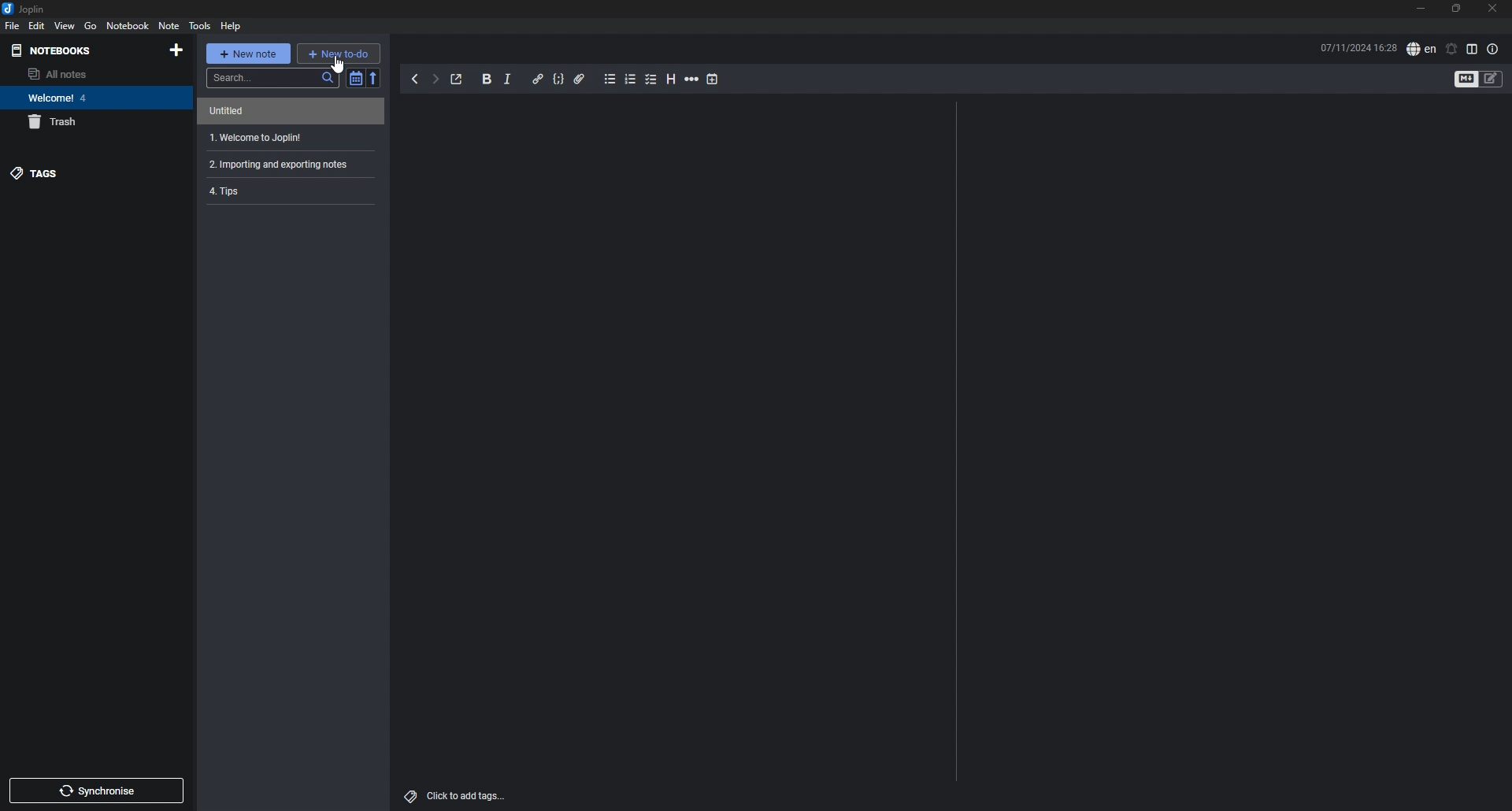 The image size is (1512, 811). What do you see at coordinates (31, 9) in the screenshot?
I see `joplin` at bounding box center [31, 9].